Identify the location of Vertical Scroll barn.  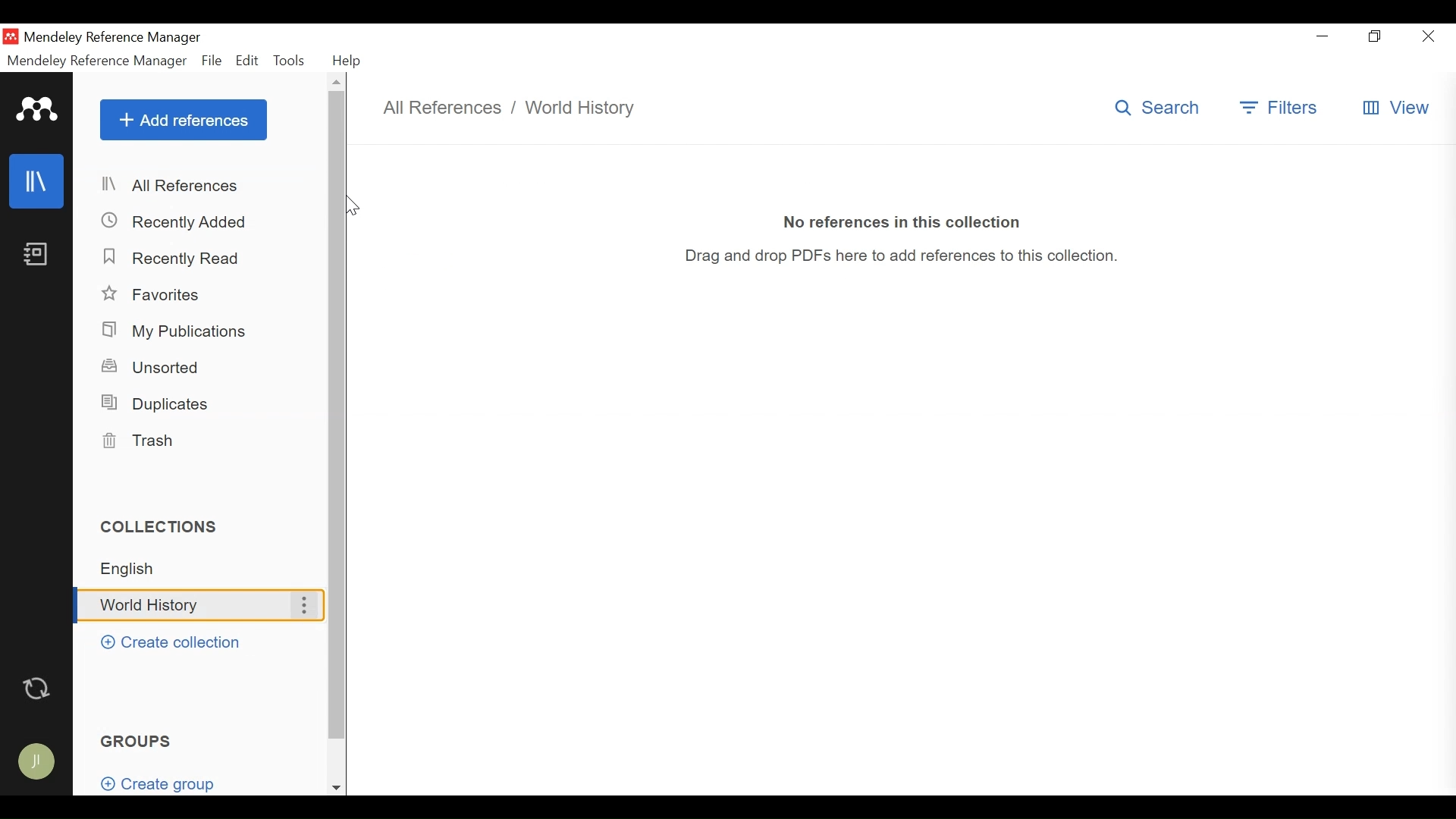
(336, 416).